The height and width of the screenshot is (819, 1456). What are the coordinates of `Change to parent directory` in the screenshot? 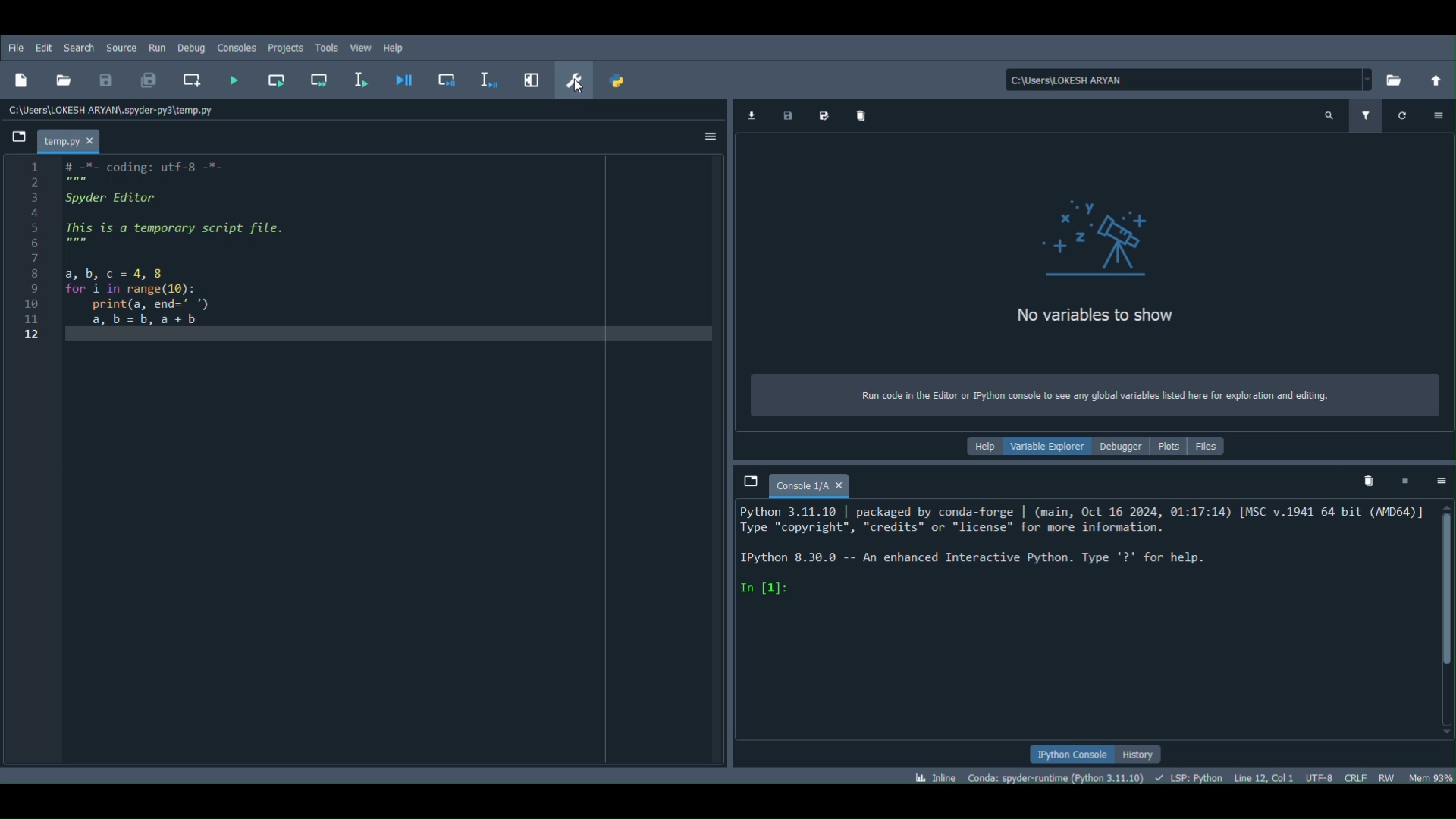 It's located at (1436, 78).